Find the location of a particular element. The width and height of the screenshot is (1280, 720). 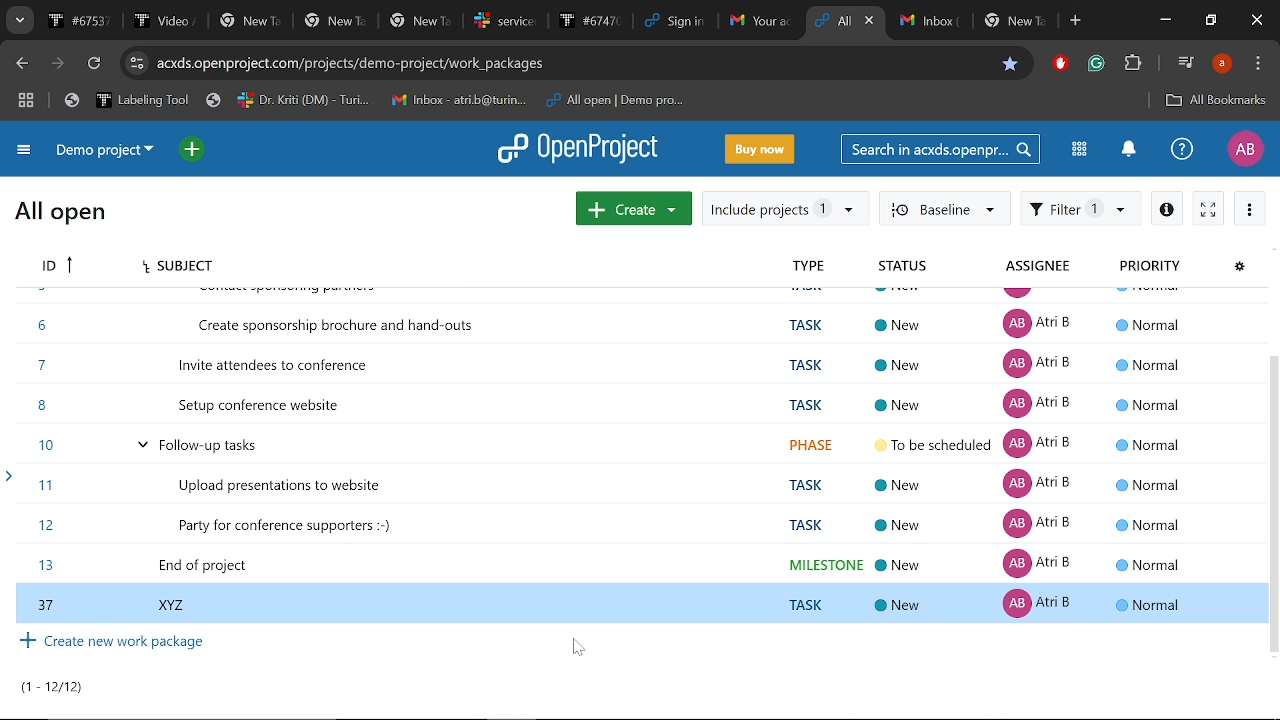

Cite info is located at coordinates (139, 64).